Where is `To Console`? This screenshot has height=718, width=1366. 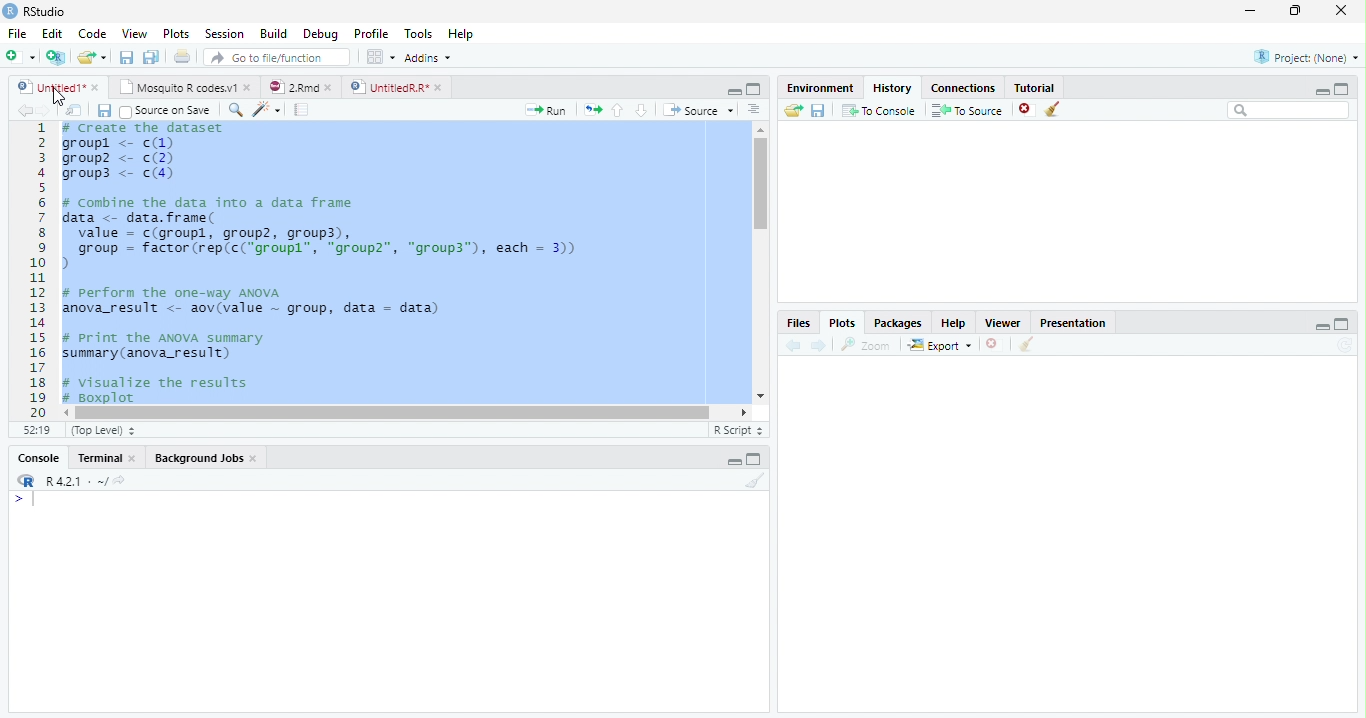
To Console is located at coordinates (879, 110).